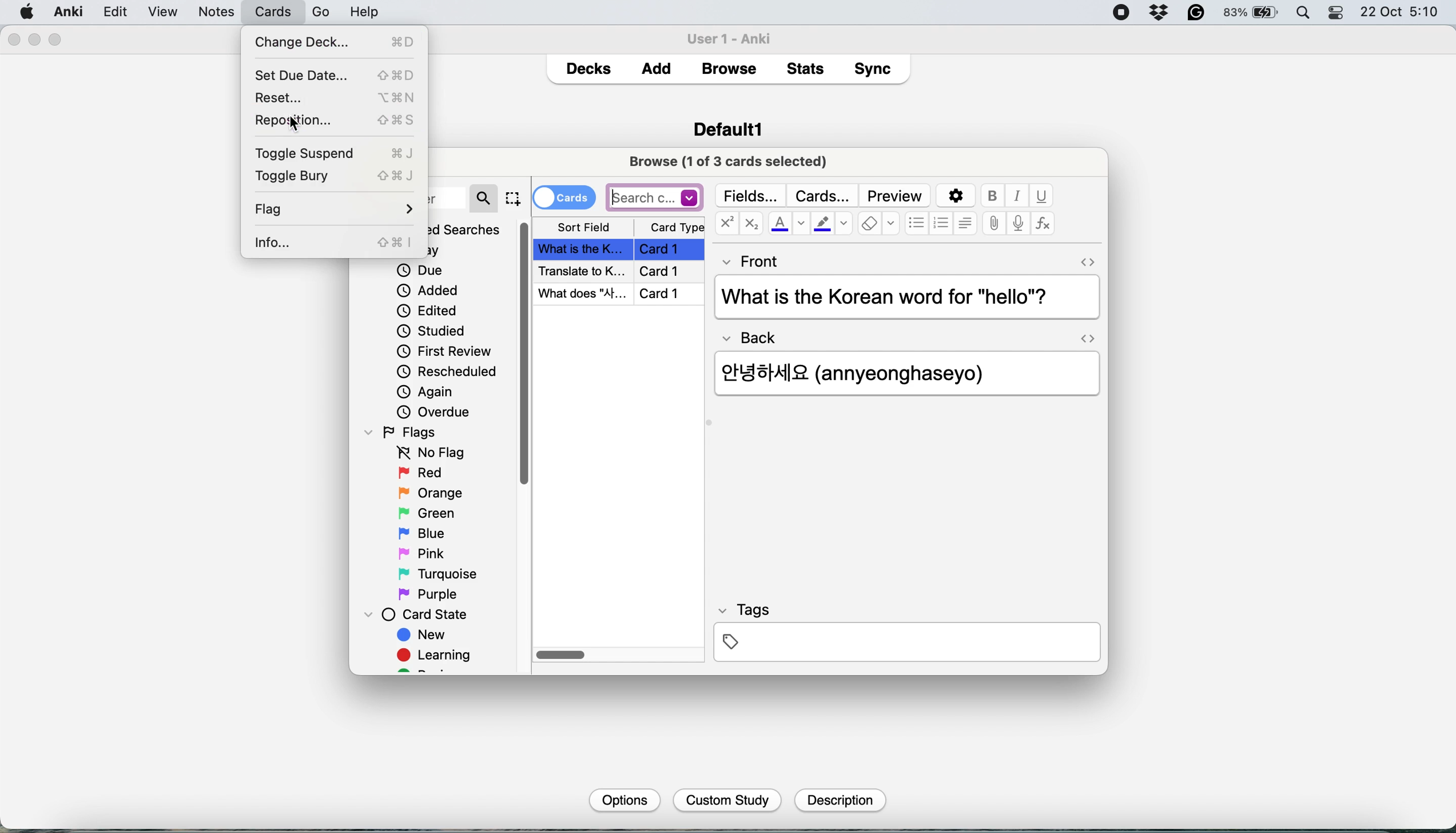  I want to click on no flag, so click(428, 453).